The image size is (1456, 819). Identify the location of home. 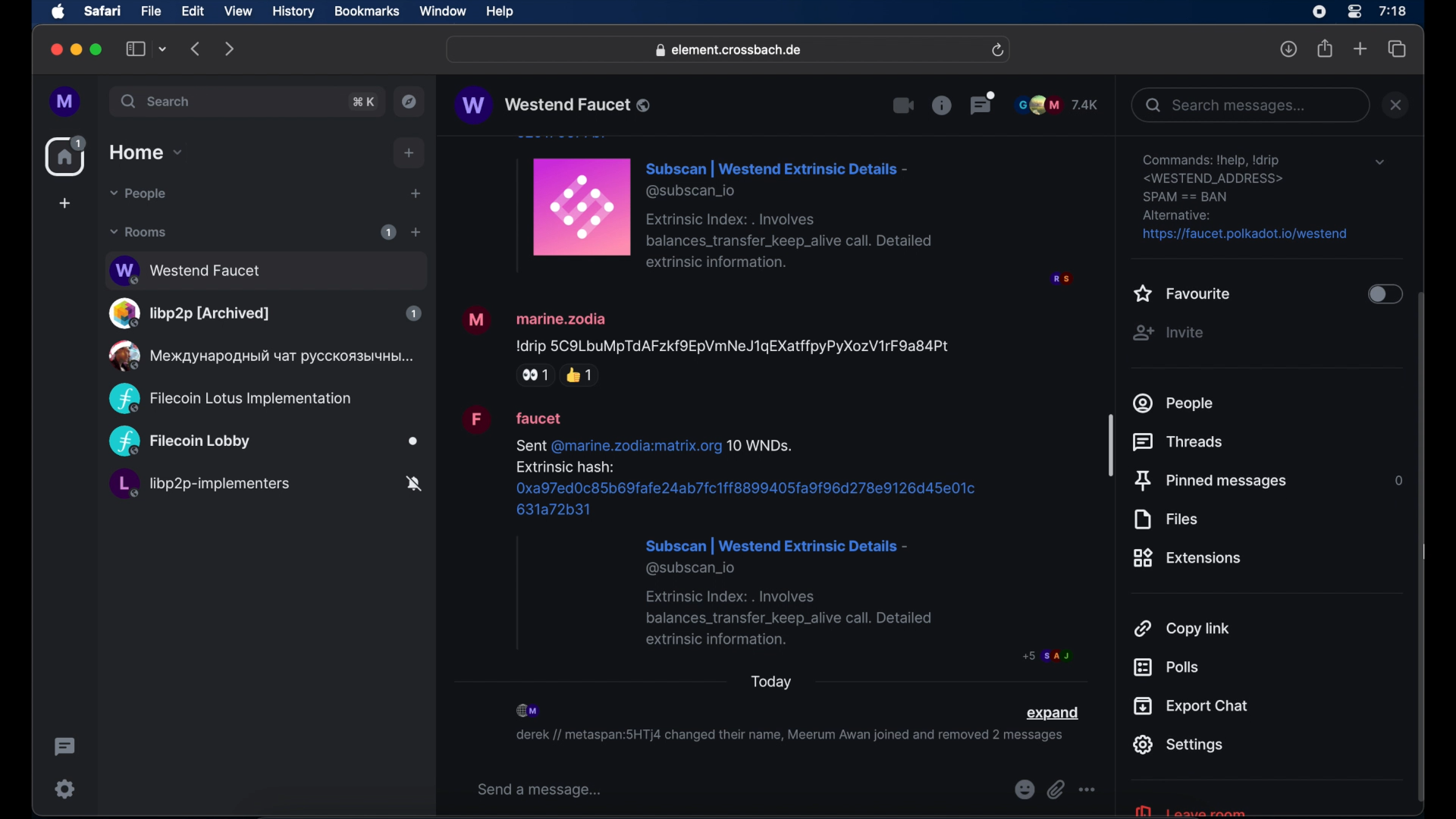
(67, 156).